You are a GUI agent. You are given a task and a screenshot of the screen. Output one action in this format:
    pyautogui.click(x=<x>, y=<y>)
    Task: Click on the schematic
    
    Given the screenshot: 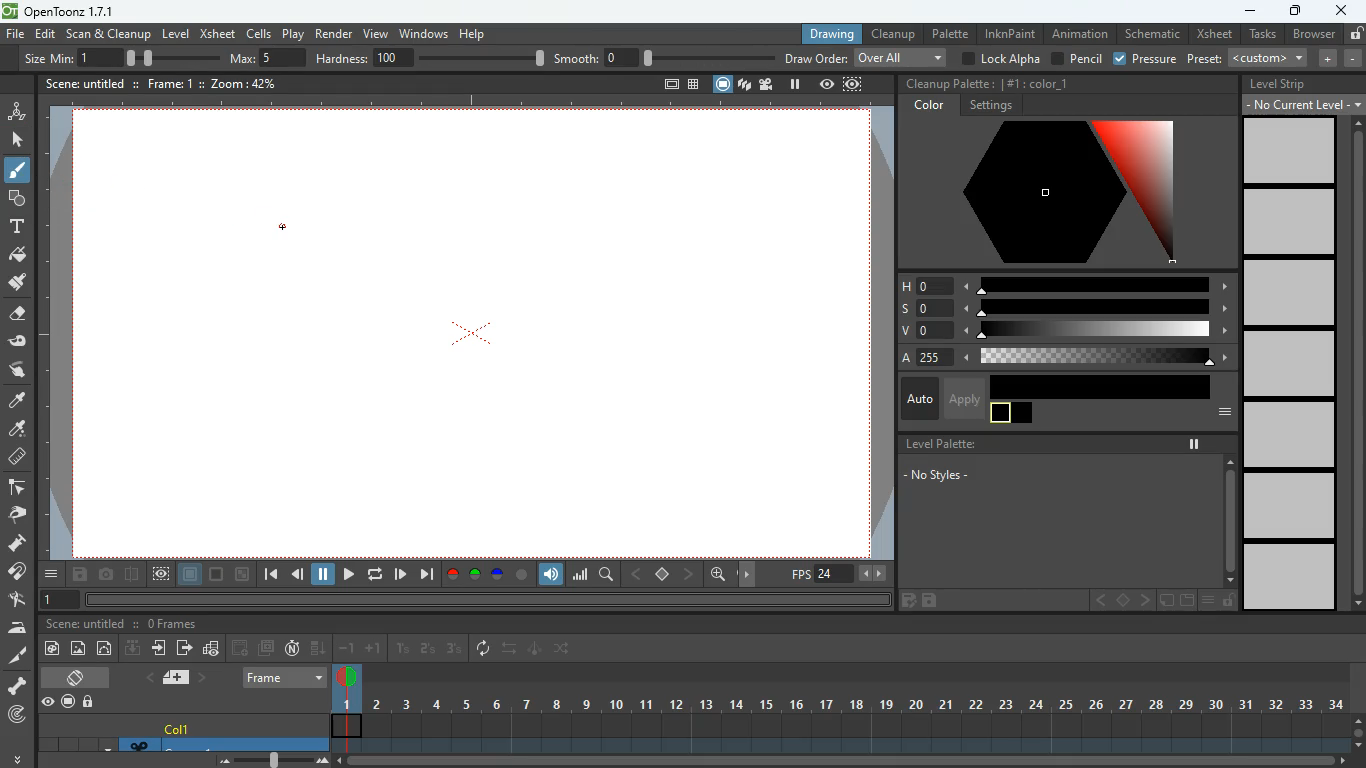 What is the action you would take?
    pyautogui.click(x=1152, y=34)
    